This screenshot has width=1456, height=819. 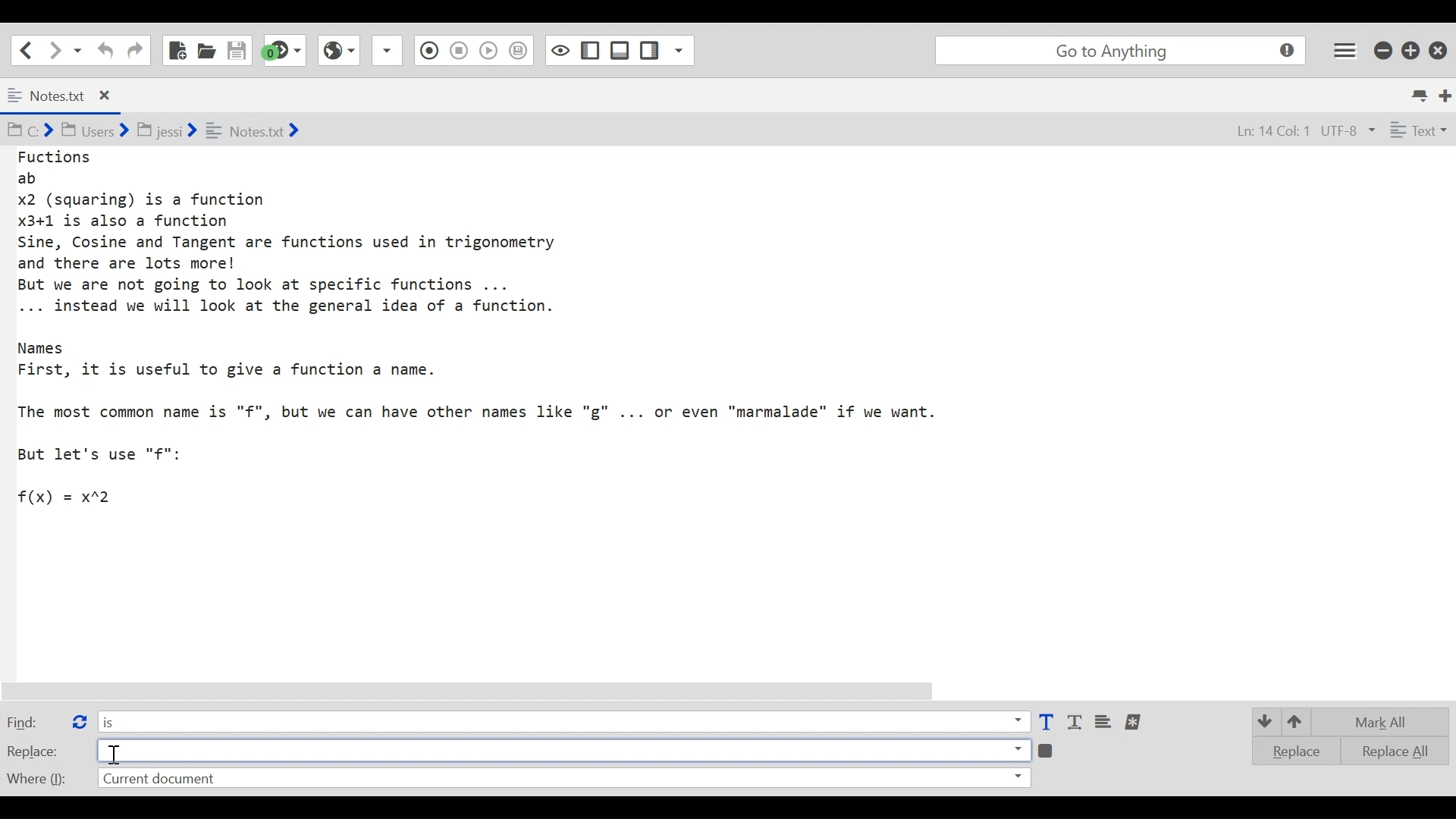 What do you see at coordinates (388, 50) in the screenshot?
I see `Recording Macro` at bounding box center [388, 50].